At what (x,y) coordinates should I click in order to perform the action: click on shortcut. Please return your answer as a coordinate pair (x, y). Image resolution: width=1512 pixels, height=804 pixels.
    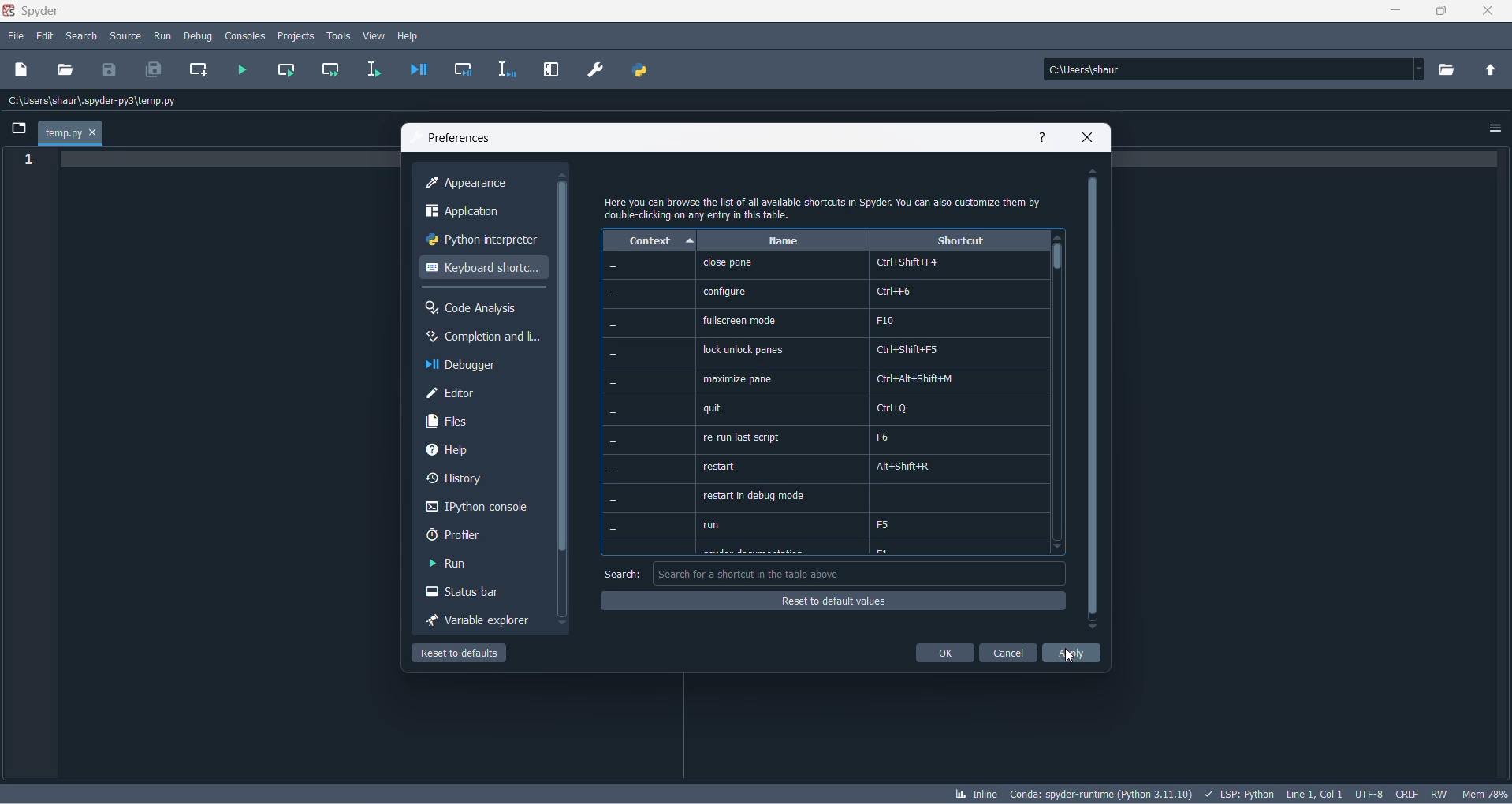
    Looking at the image, I should click on (959, 241).